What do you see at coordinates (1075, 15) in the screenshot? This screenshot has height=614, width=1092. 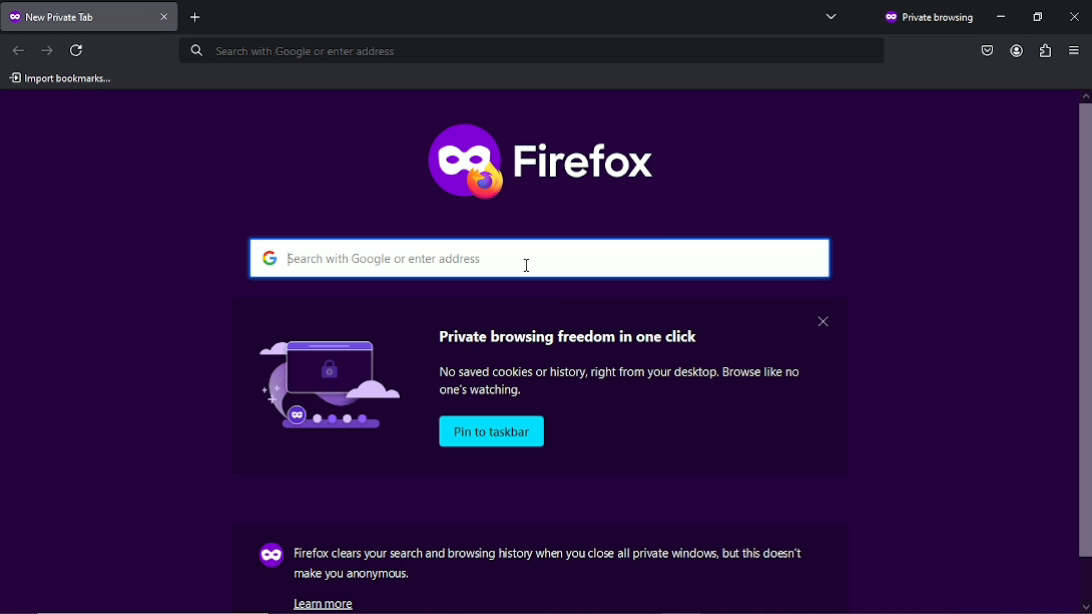 I see `Close` at bounding box center [1075, 15].